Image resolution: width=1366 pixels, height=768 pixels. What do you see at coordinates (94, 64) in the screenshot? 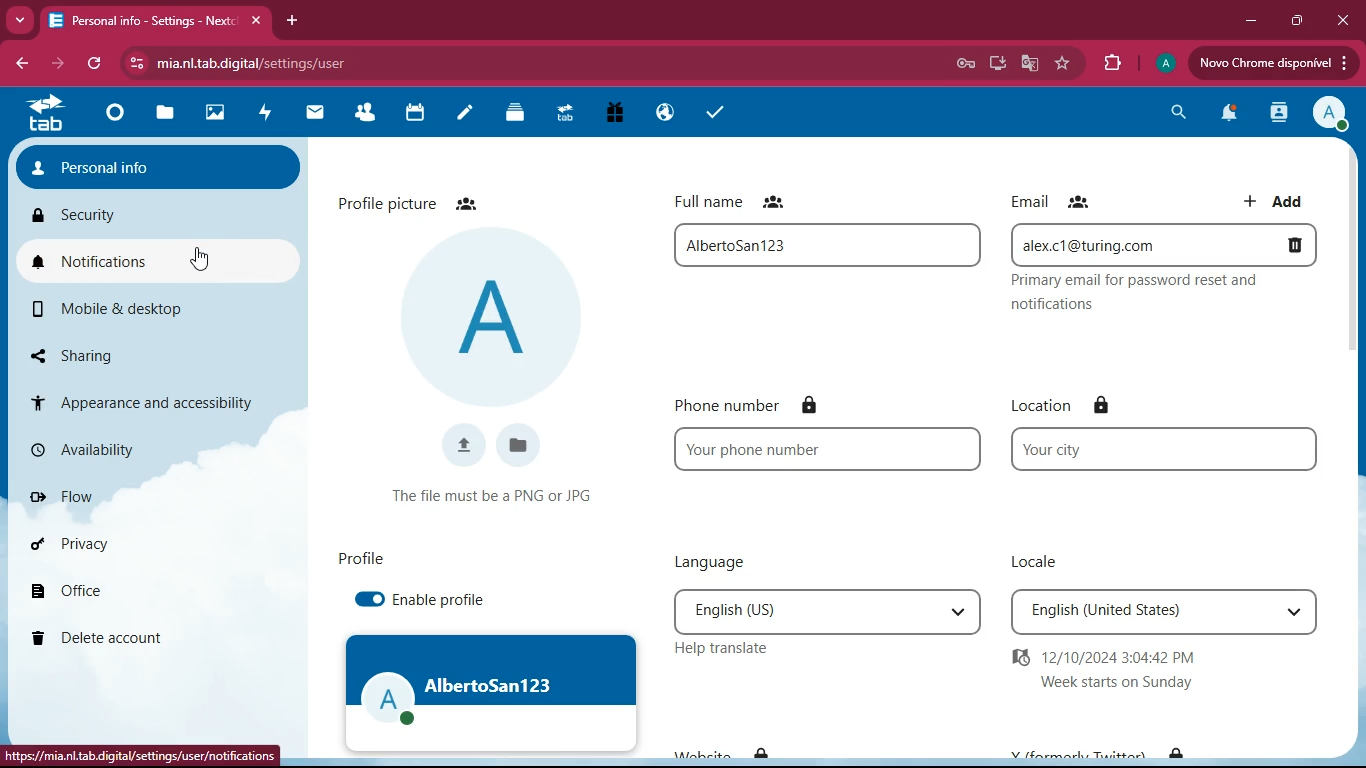
I see `refresh` at bounding box center [94, 64].